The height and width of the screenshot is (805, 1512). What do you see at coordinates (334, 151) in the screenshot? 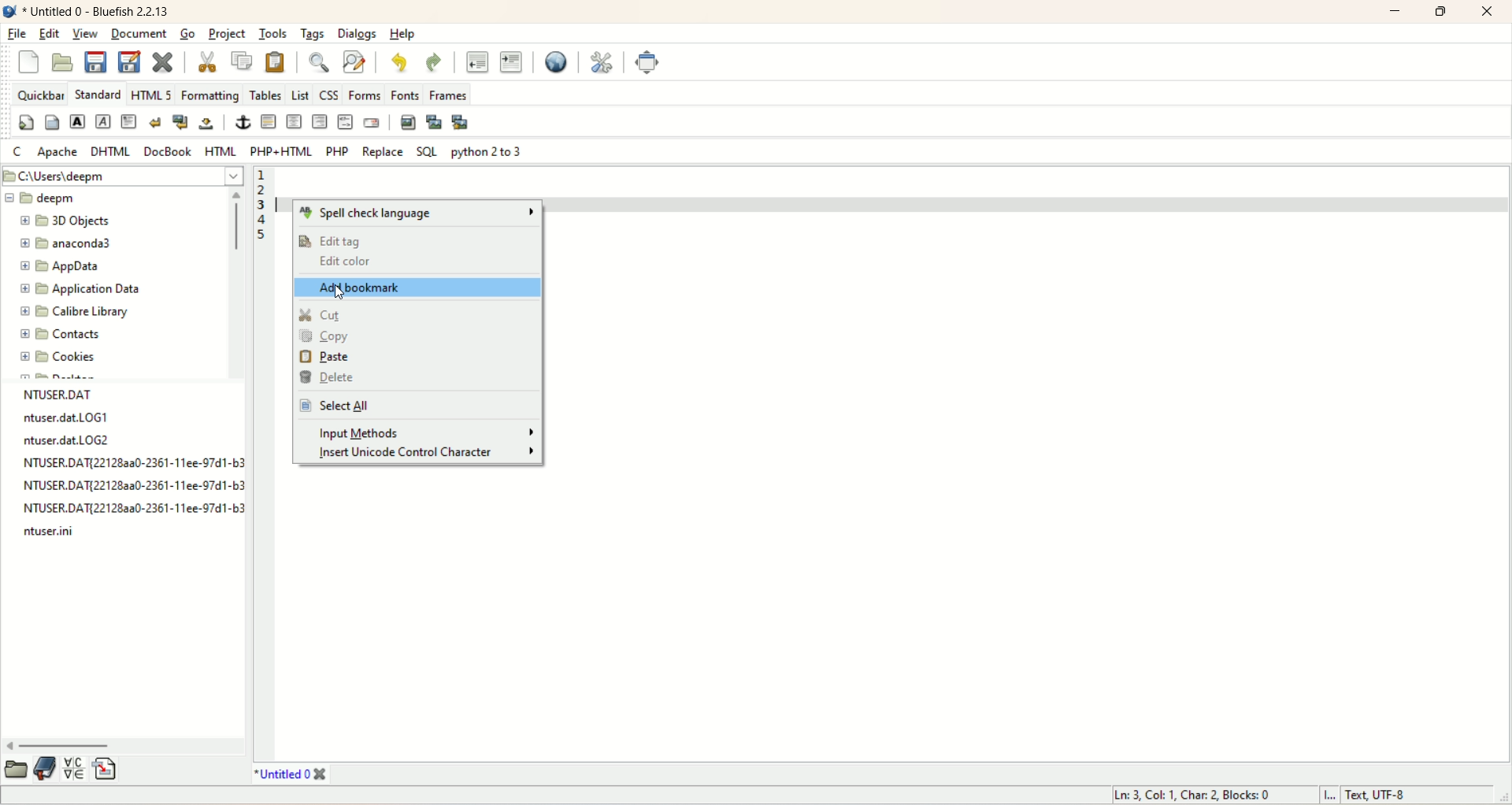
I see `PHP` at bounding box center [334, 151].